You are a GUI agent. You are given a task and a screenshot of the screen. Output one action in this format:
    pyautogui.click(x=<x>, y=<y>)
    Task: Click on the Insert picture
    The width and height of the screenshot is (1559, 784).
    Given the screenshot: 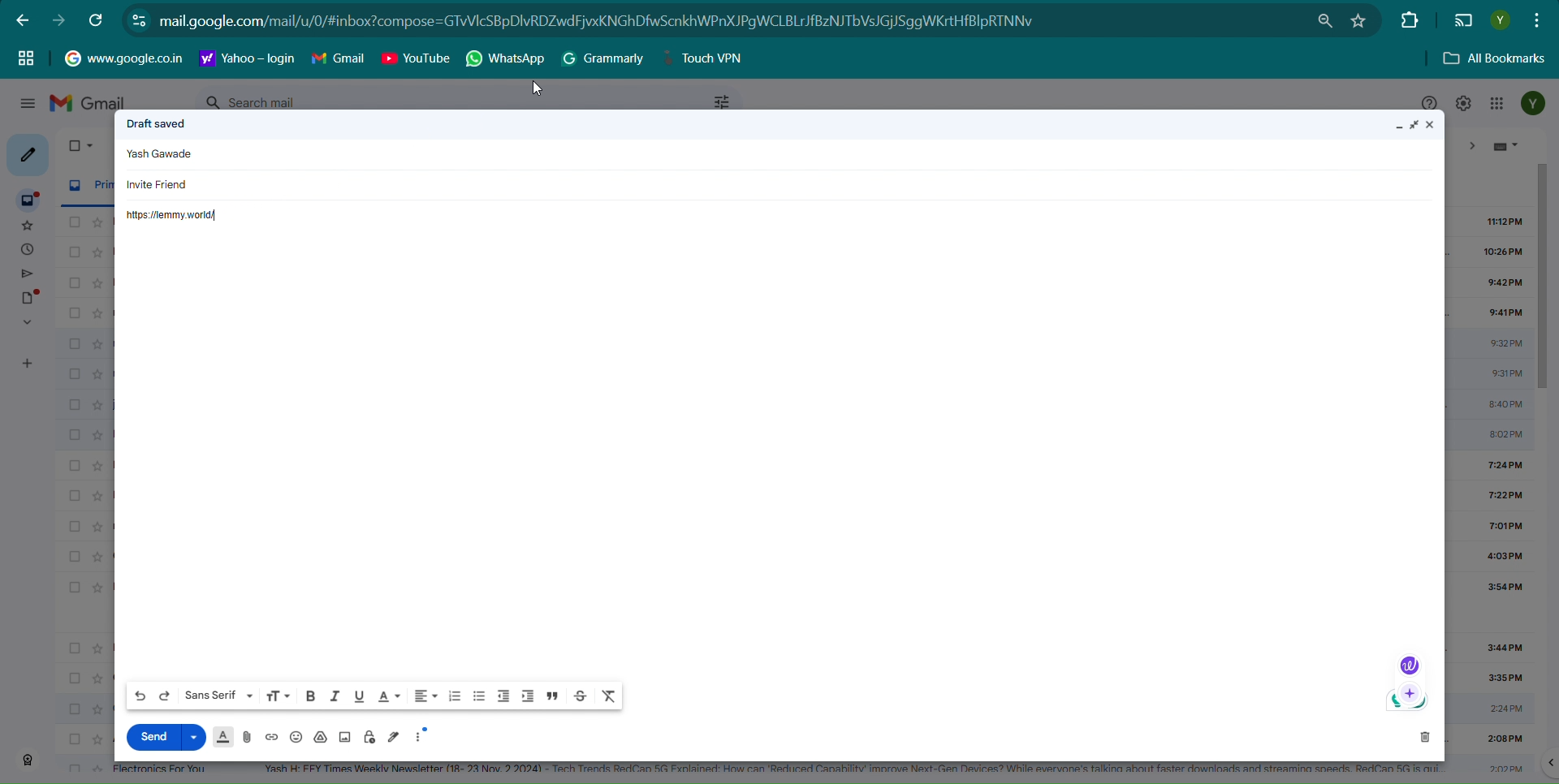 What is the action you would take?
    pyautogui.click(x=344, y=737)
    